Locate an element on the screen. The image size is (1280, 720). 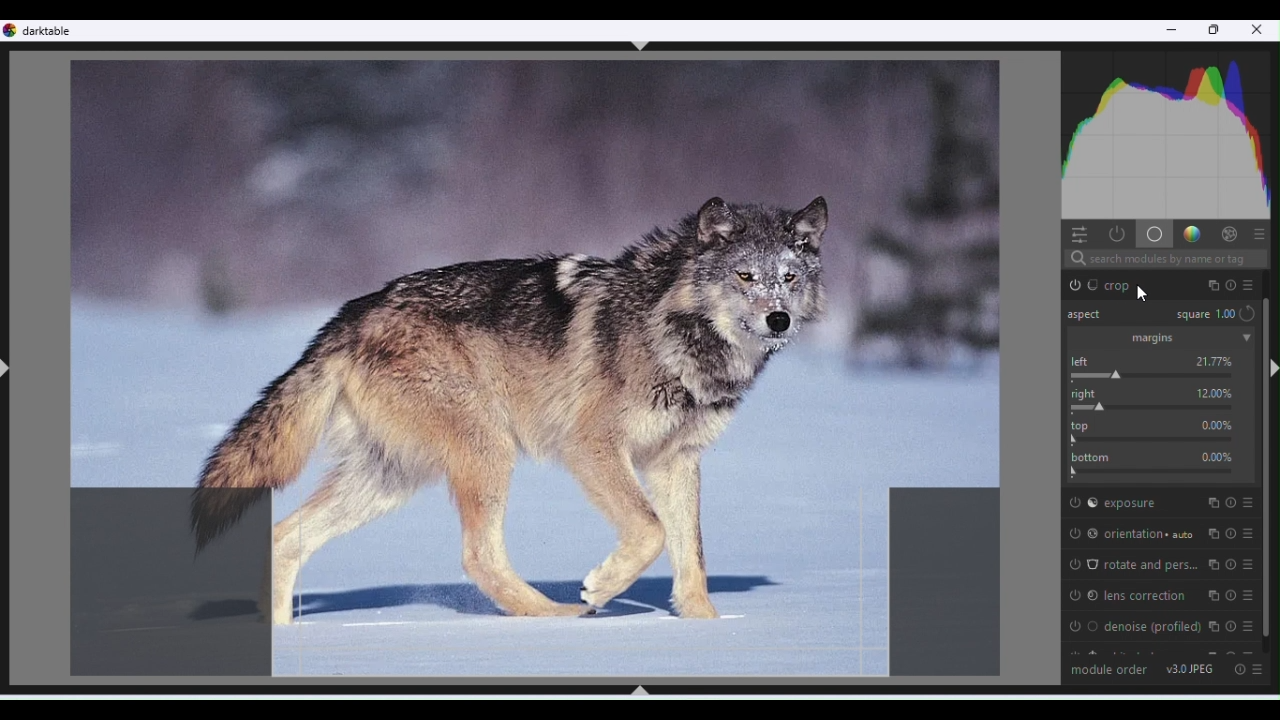
left is located at coordinates (1085, 361).